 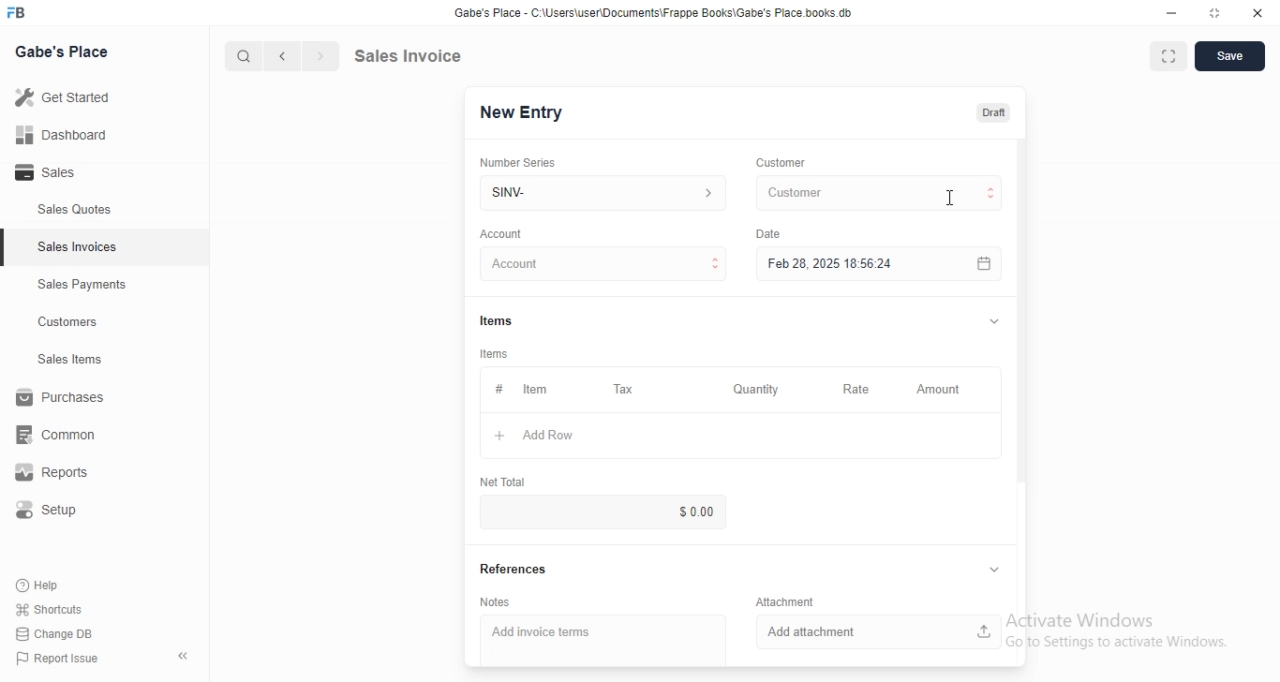 What do you see at coordinates (68, 99) in the screenshot?
I see `Getstared` at bounding box center [68, 99].